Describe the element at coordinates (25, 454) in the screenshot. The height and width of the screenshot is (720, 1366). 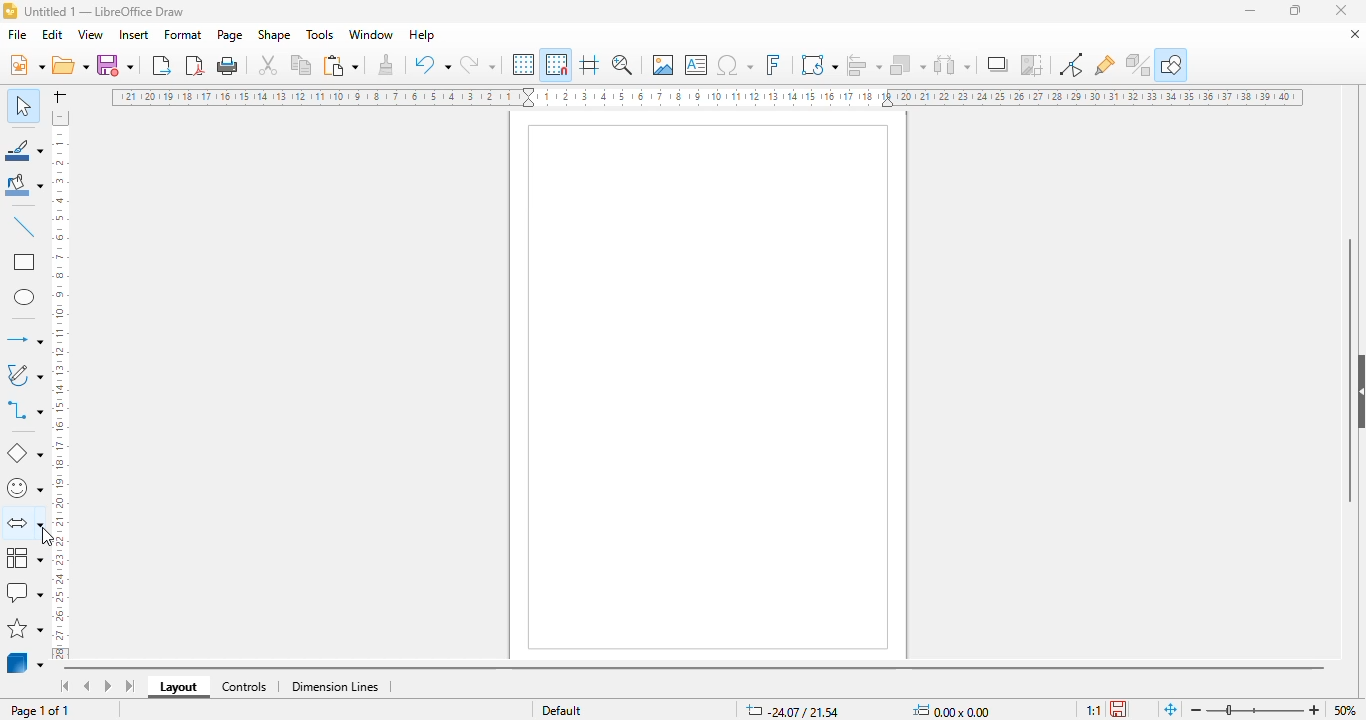
I see `basic shapes` at that location.